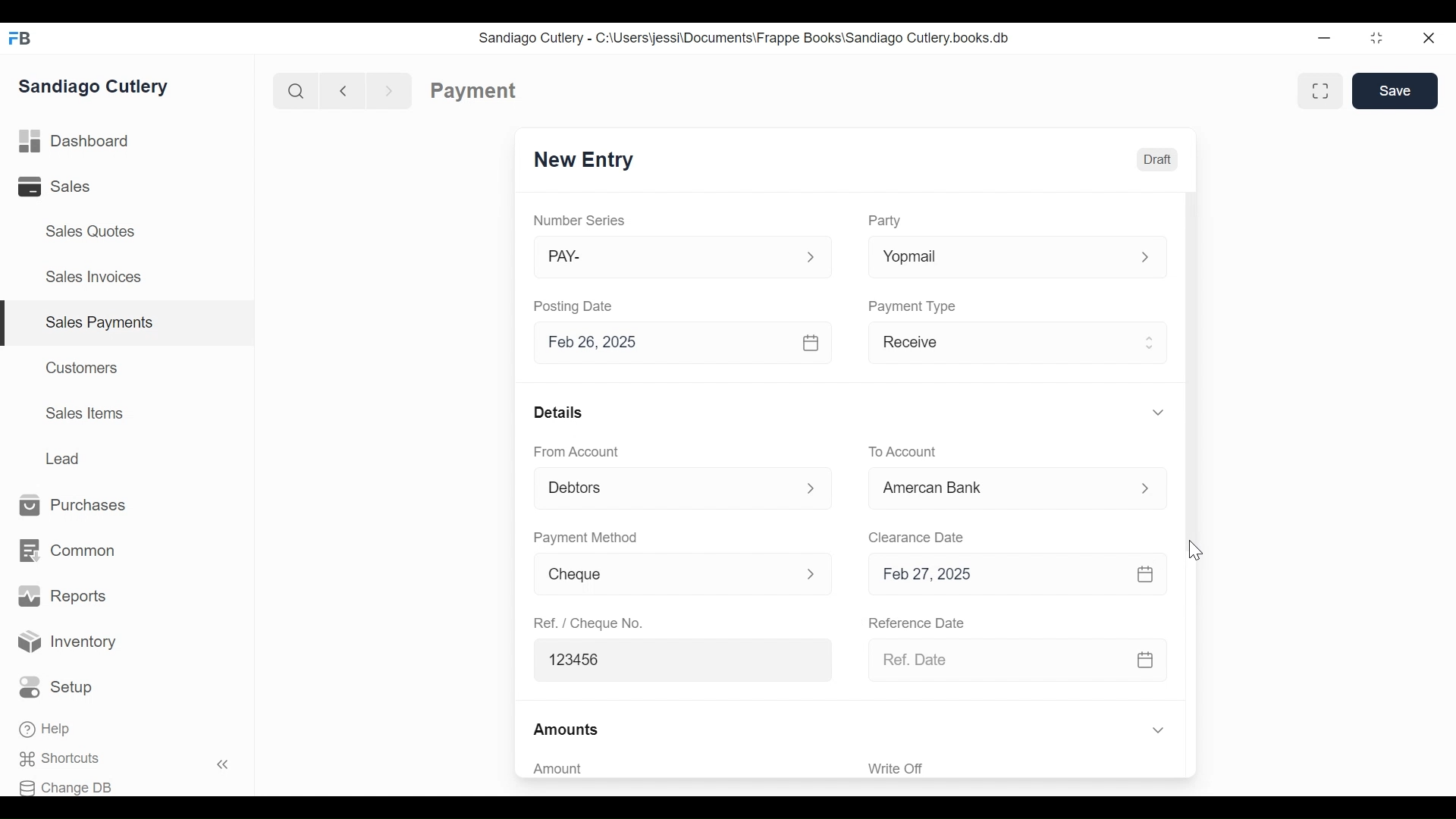 The width and height of the screenshot is (1456, 819). I want to click on ‘Write Off, so click(1019, 768).